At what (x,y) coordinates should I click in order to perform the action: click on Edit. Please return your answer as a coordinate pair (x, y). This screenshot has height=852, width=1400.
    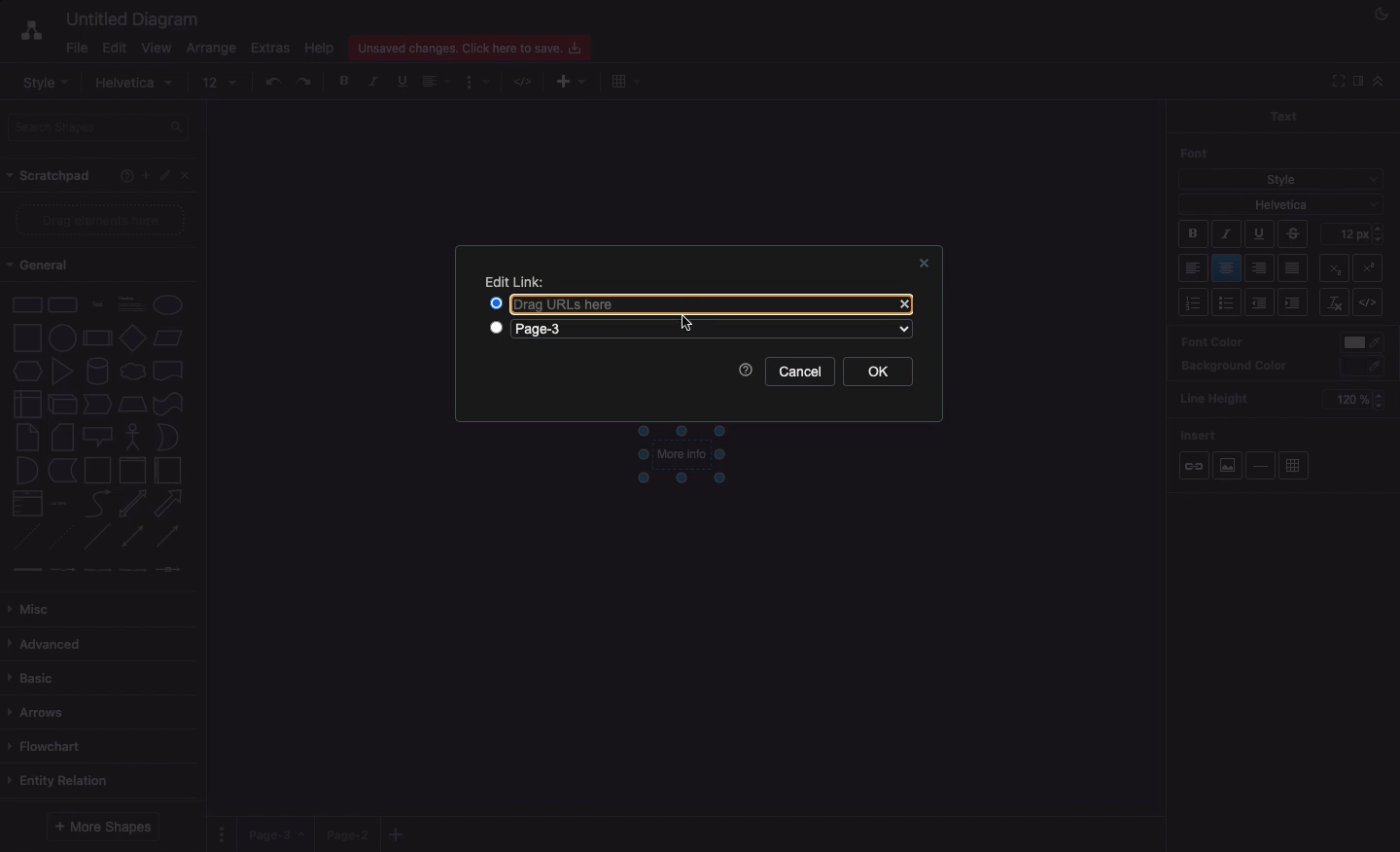
    Looking at the image, I should click on (114, 49).